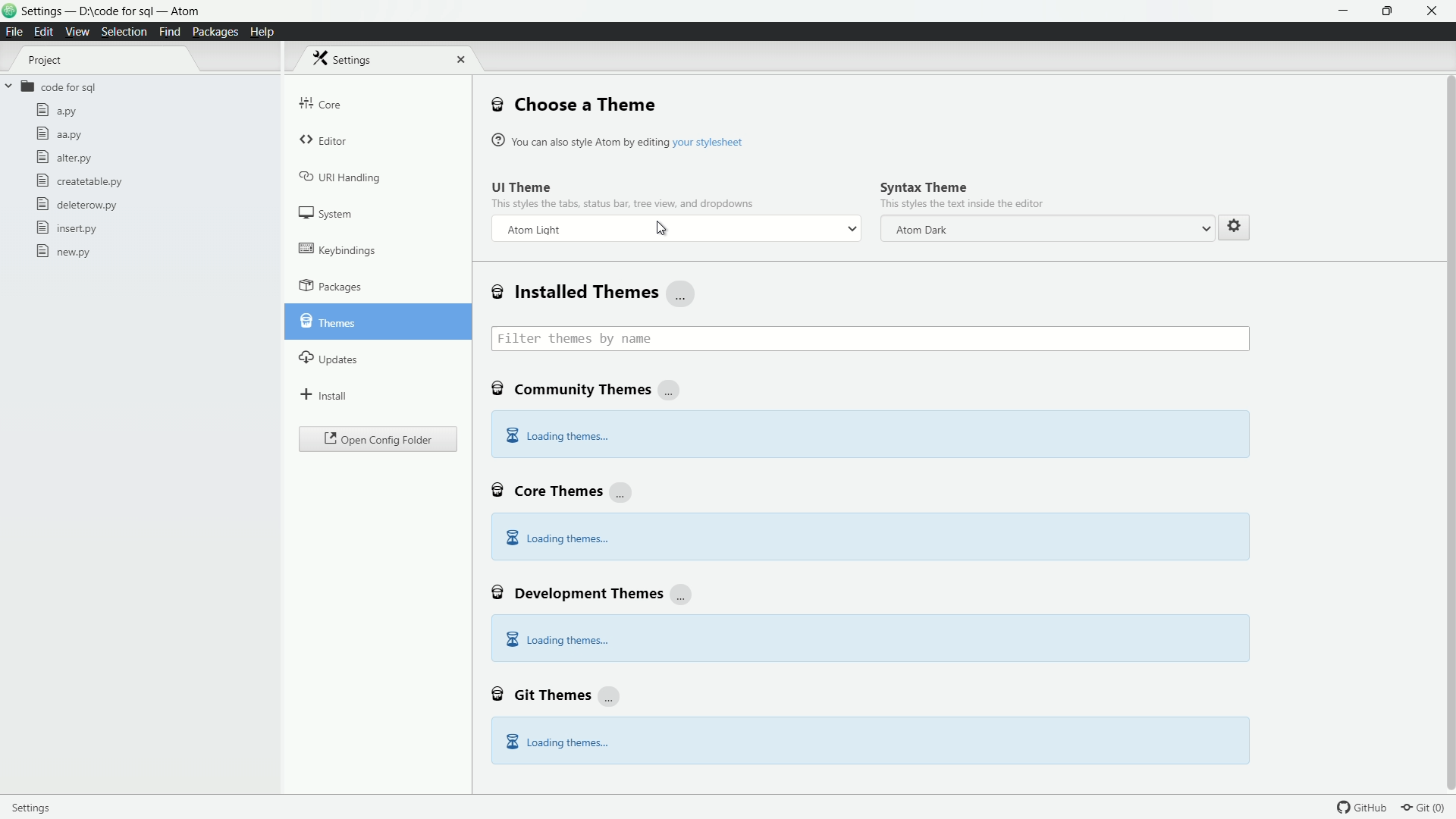 The height and width of the screenshot is (819, 1456). I want to click on edit menu, so click(44, 32).